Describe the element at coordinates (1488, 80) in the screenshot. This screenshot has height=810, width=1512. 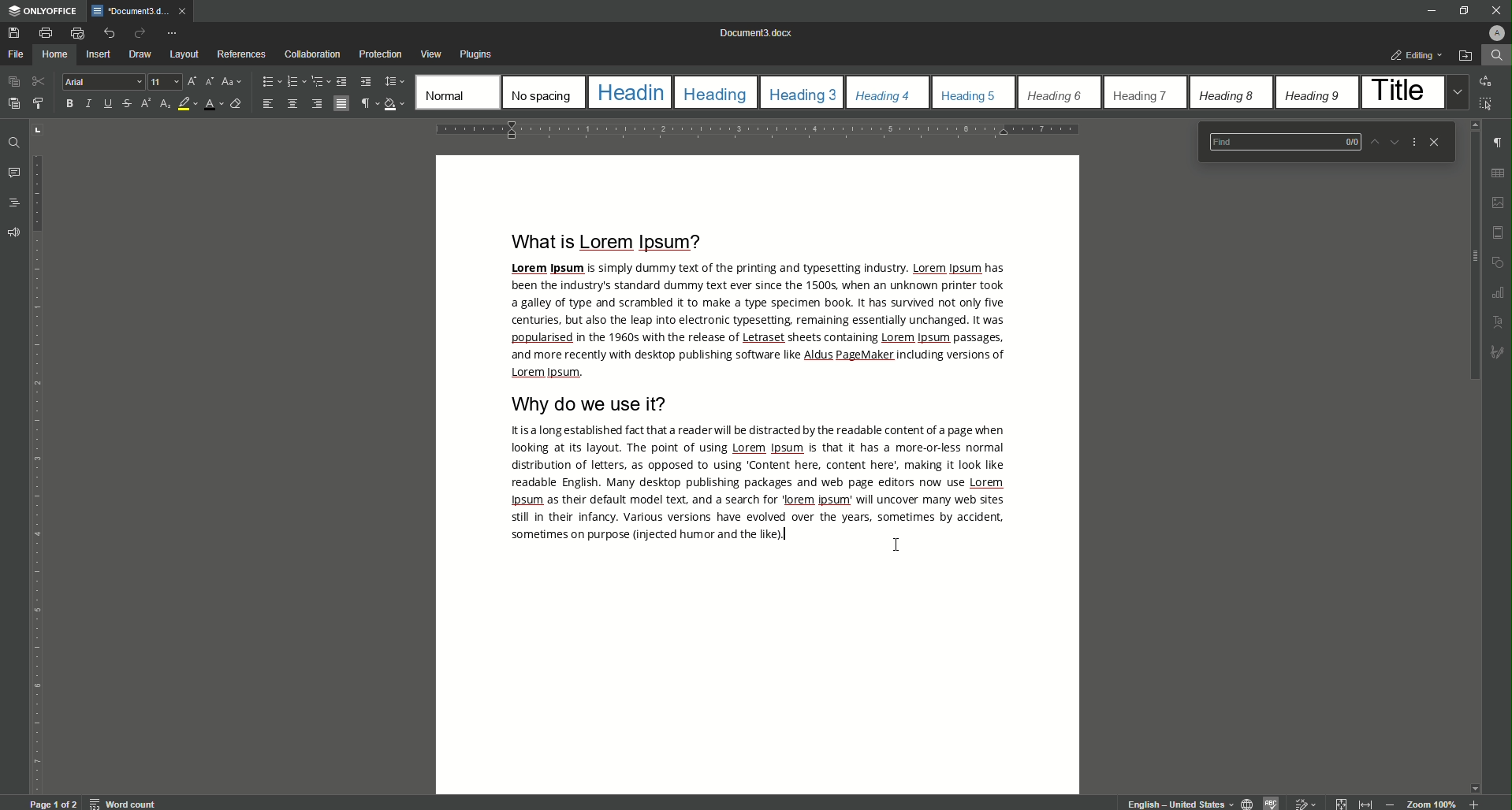
I see `Replace` at that location.